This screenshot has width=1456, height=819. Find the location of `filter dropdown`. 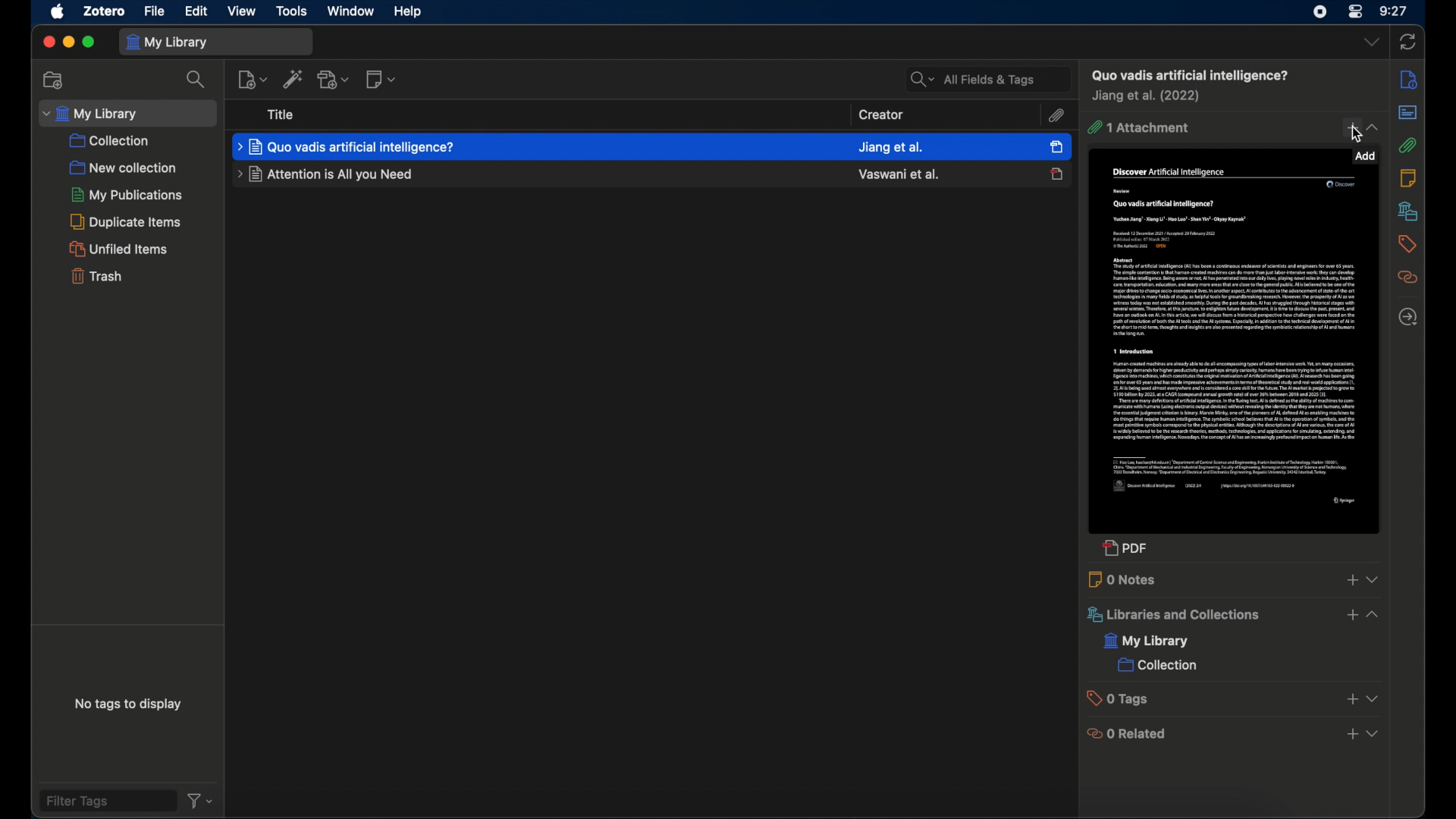

filter dropdown is located at coordinates (200, 802).